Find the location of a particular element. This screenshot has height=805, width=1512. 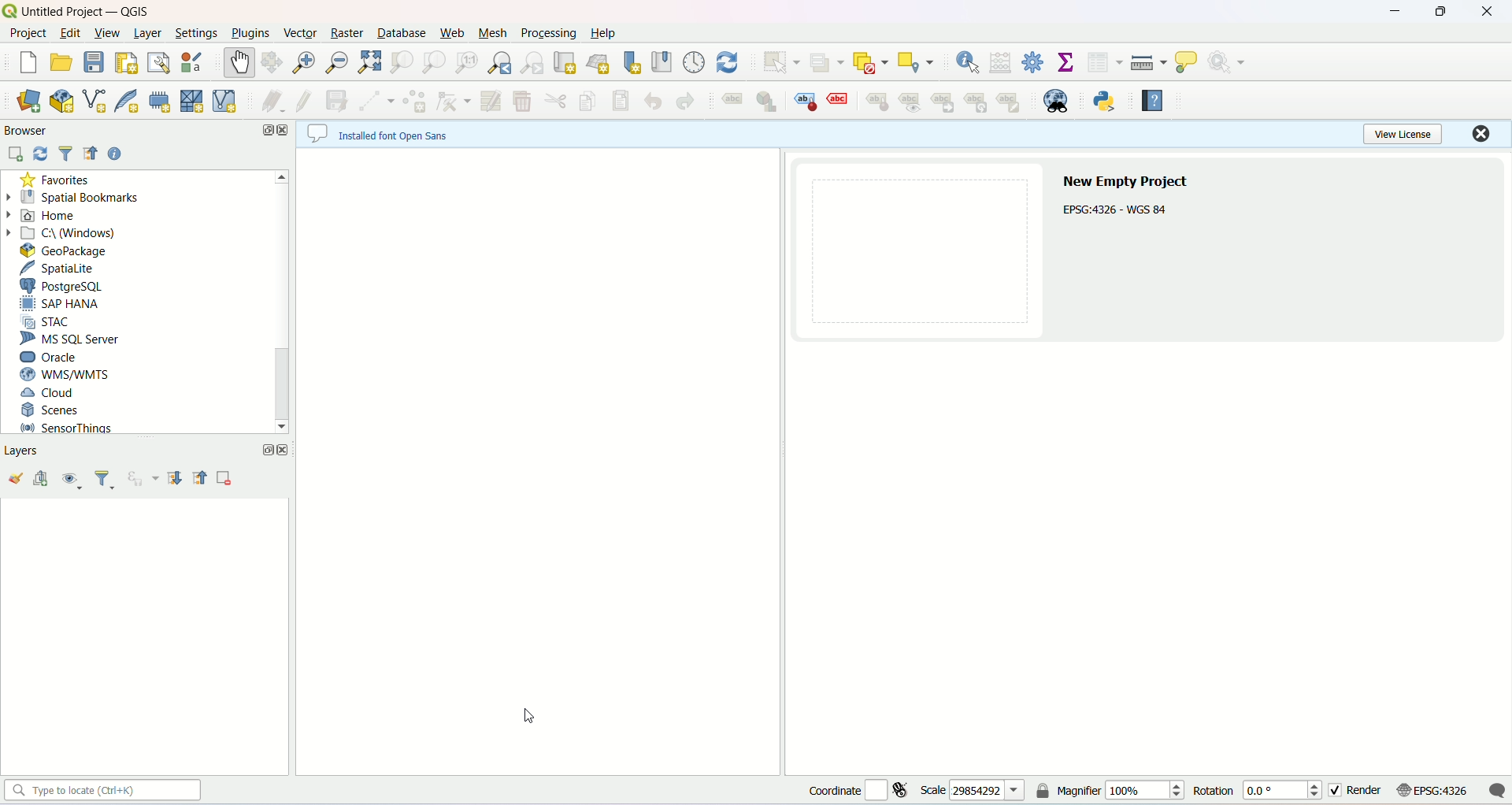

zoom to selection is located at coordinates (402, 63).